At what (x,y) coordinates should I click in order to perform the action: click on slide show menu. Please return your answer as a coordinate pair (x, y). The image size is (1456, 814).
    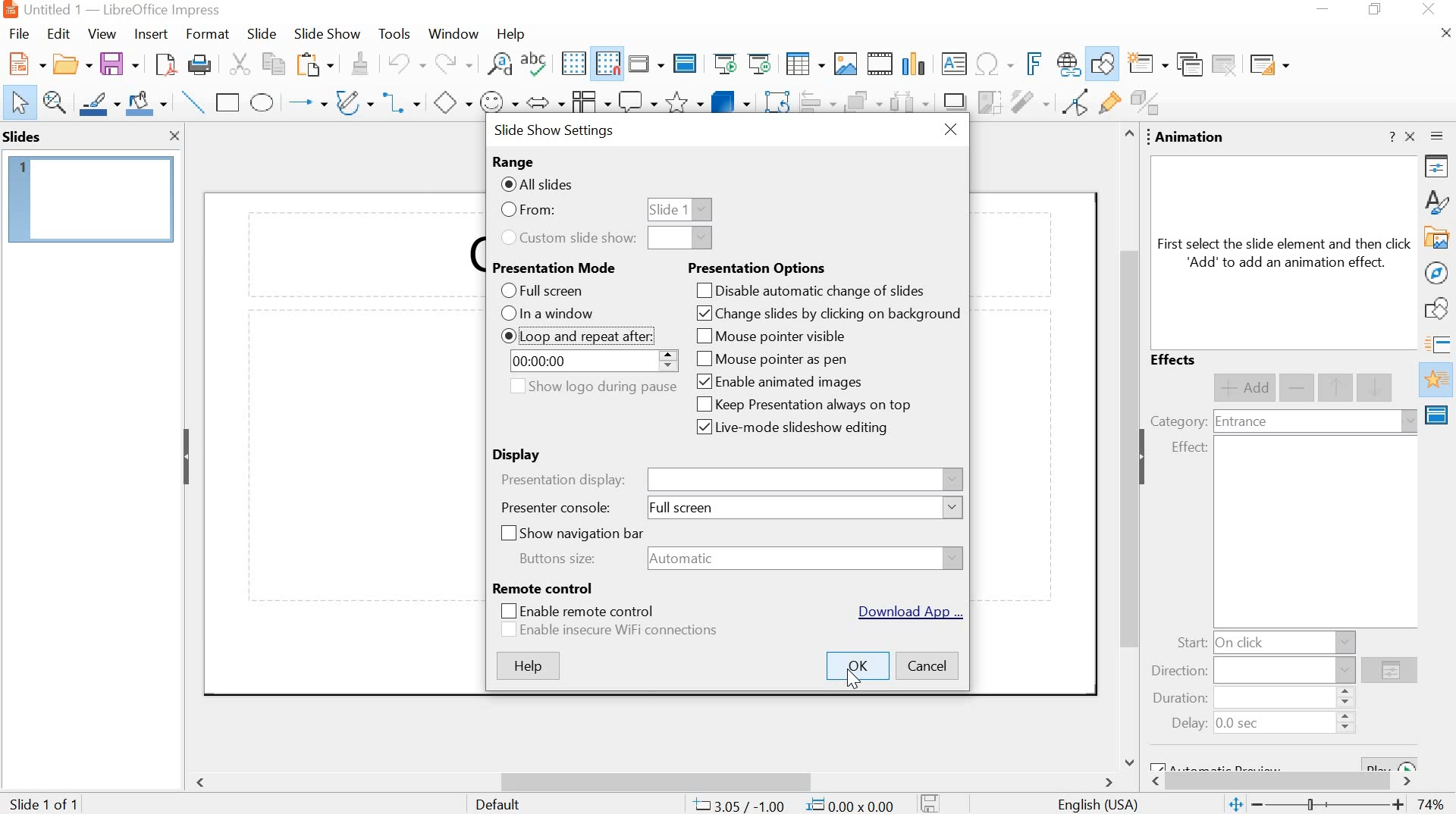
    Looking at the image, I should click on (324, 34).